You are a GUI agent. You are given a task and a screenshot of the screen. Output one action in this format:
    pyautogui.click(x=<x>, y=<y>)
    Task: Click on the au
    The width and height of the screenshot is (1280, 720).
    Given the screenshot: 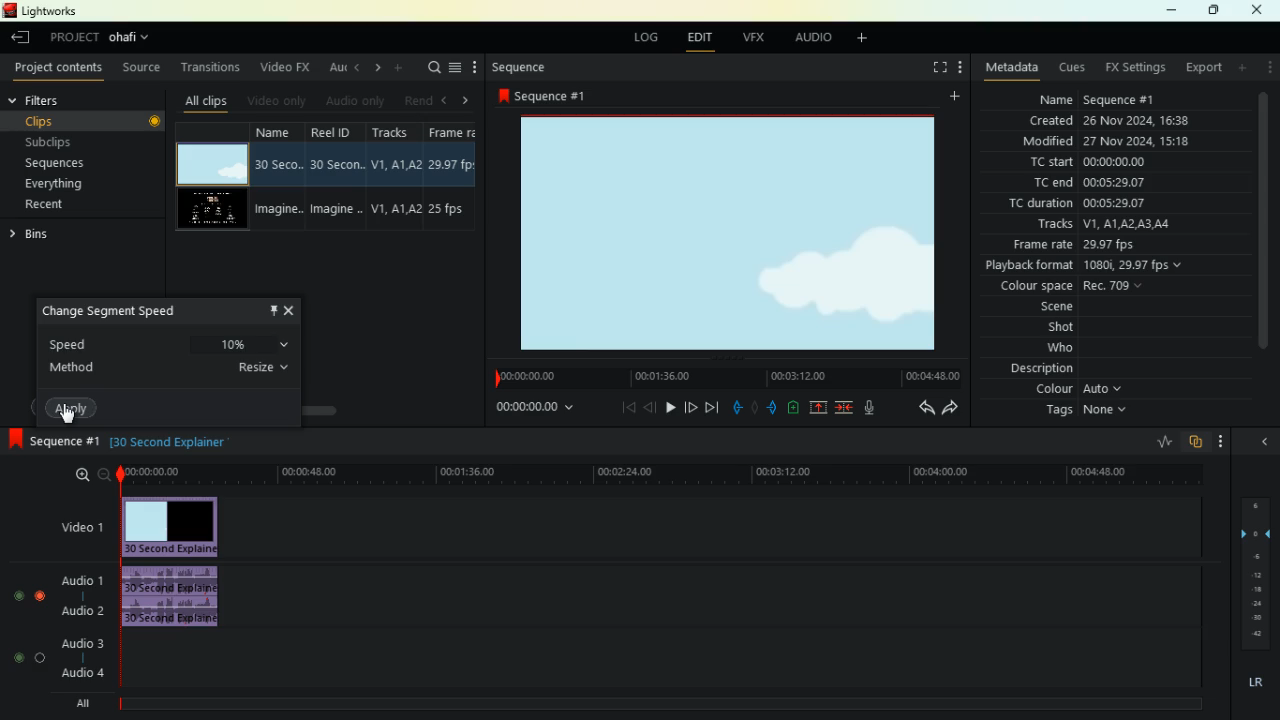 What is the action you would take?
    pyautogui.click(x=338, y=69)
    